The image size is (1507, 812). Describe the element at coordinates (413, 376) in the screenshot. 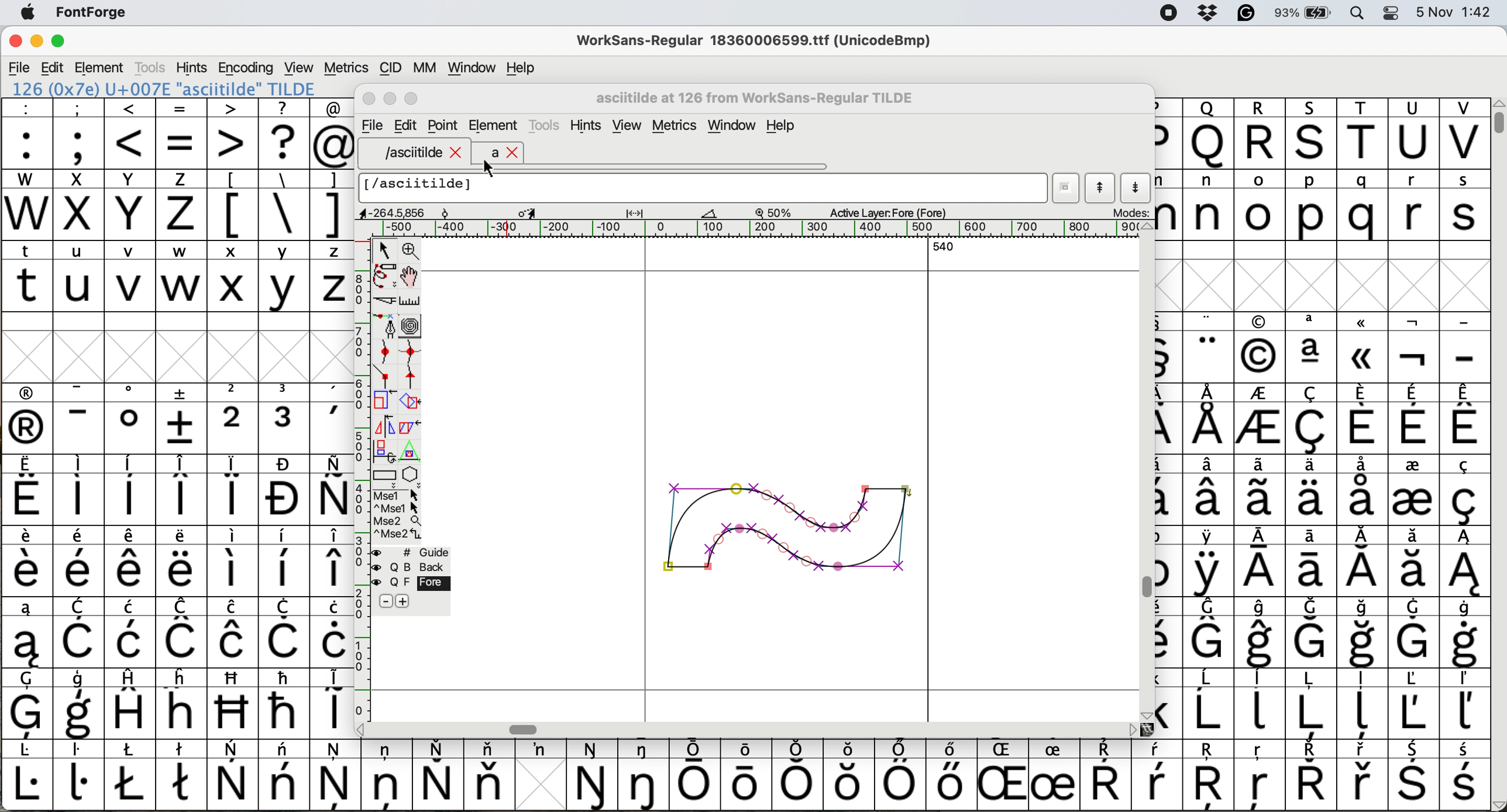

I see `add a tangent point` at that location.